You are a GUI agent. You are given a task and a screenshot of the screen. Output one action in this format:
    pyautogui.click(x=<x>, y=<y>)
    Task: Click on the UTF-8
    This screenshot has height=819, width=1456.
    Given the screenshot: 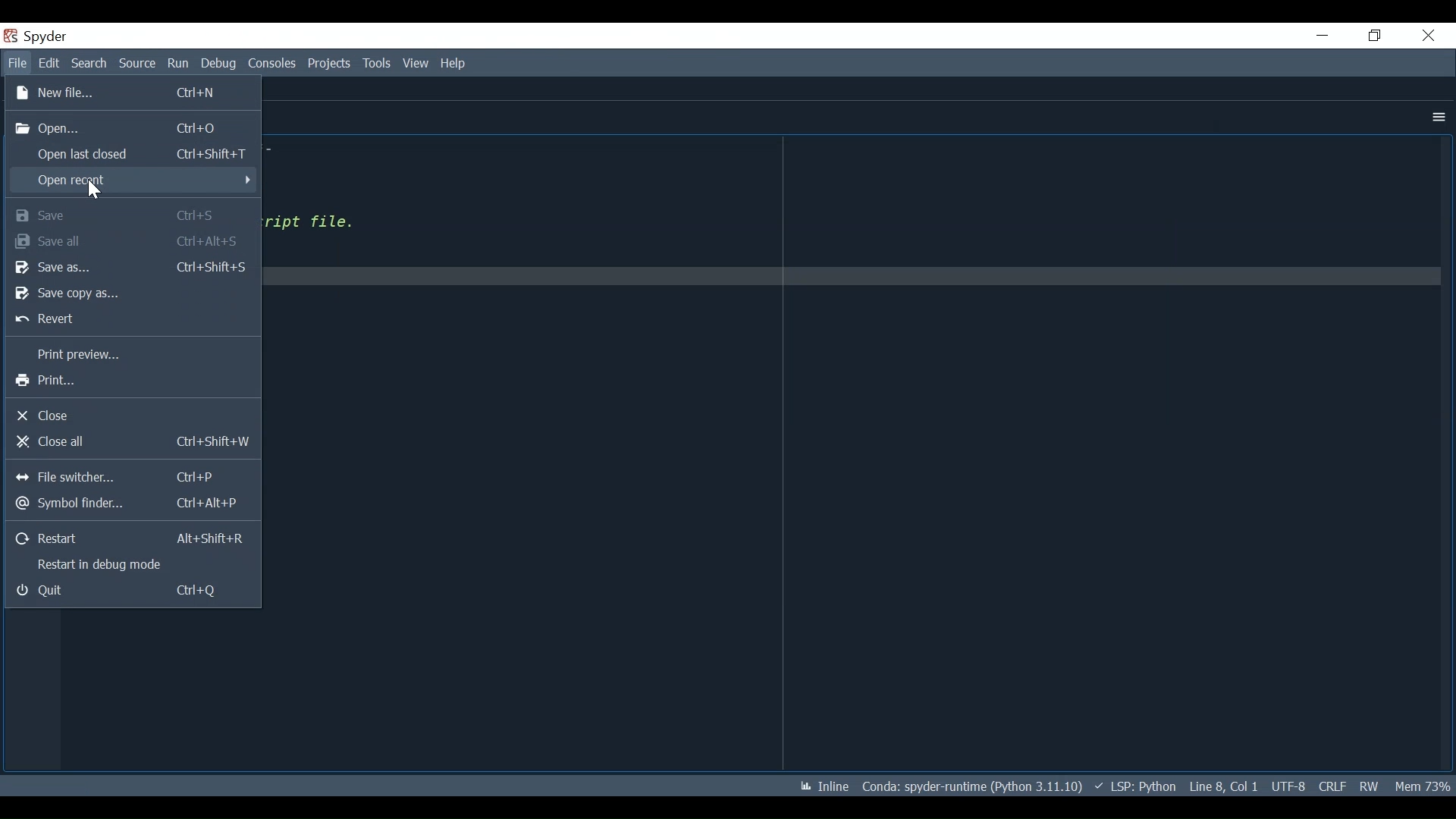 What is the action you would take?
    pyautogui.click(x=1287, y=784)
    